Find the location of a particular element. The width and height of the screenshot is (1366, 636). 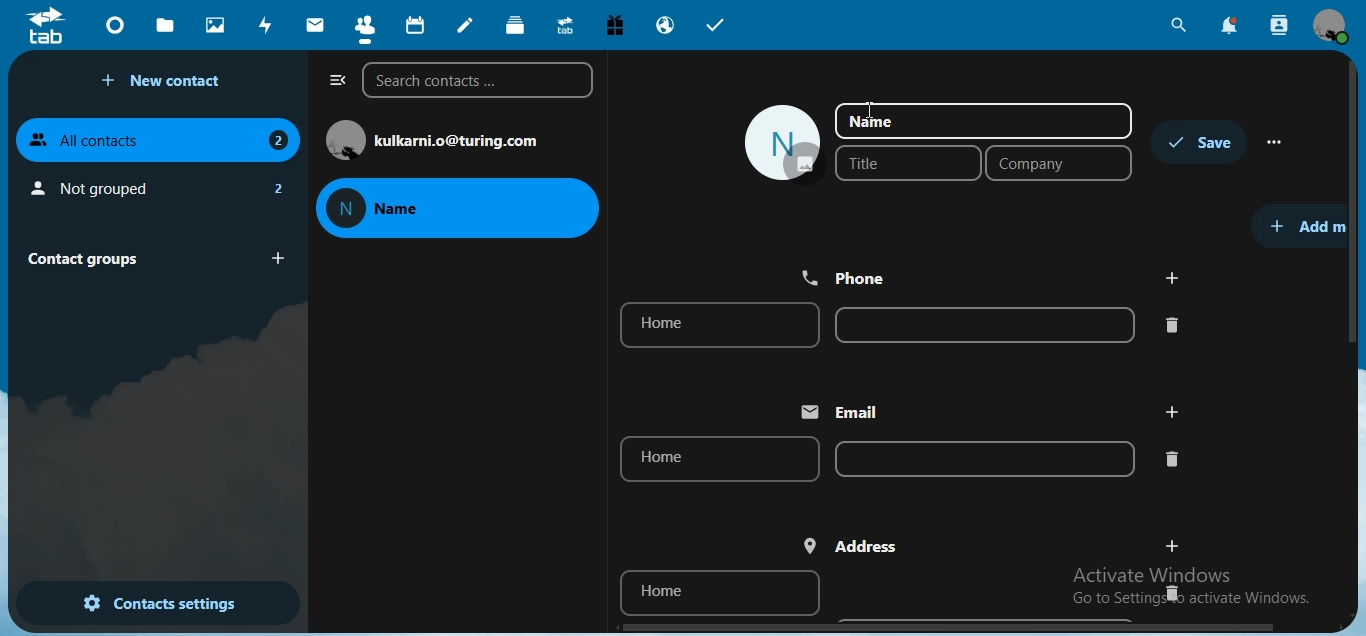

title is located at coordinates (901, 163).